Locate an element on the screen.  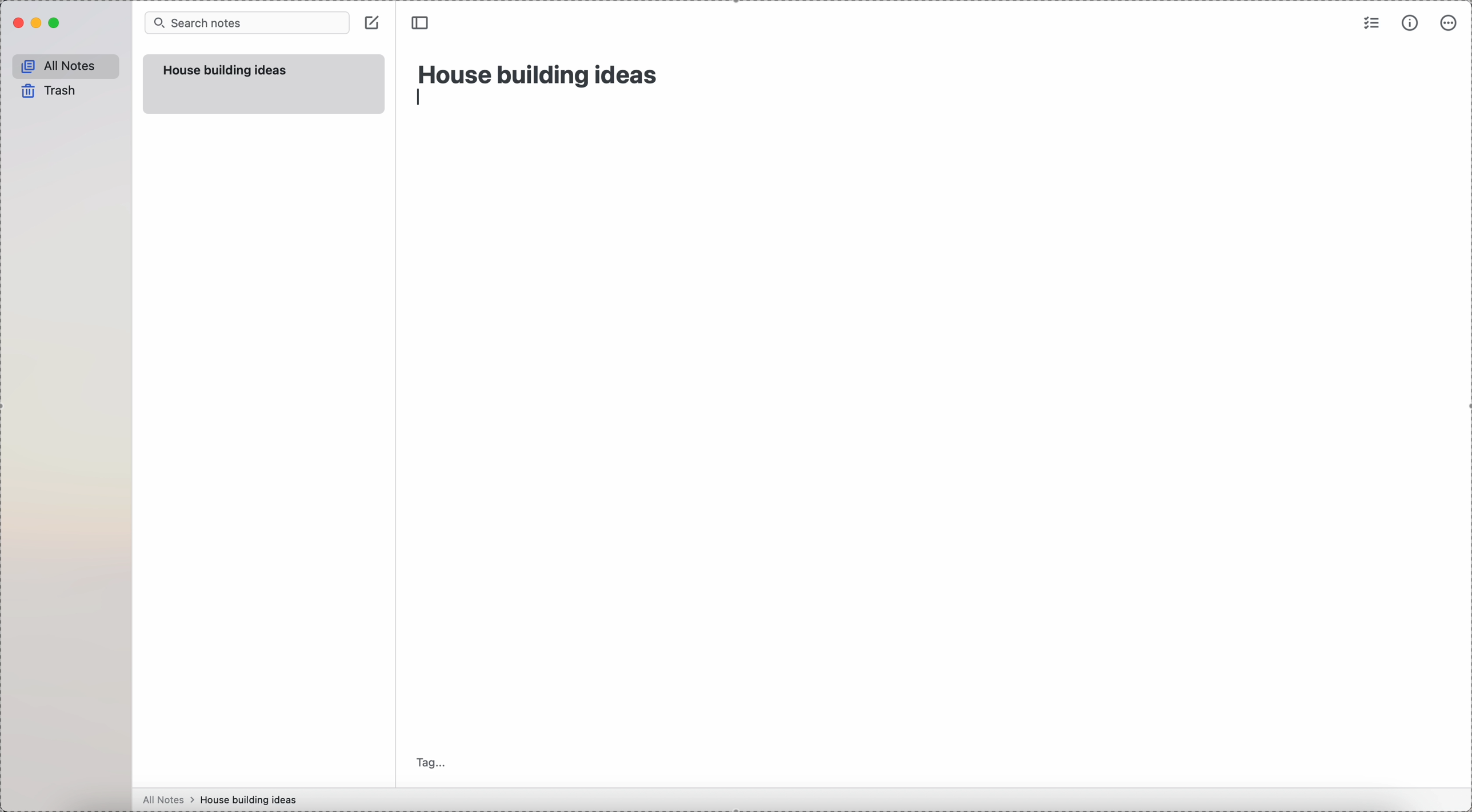
maximize Simplenote is located at coordinates (58, 23).